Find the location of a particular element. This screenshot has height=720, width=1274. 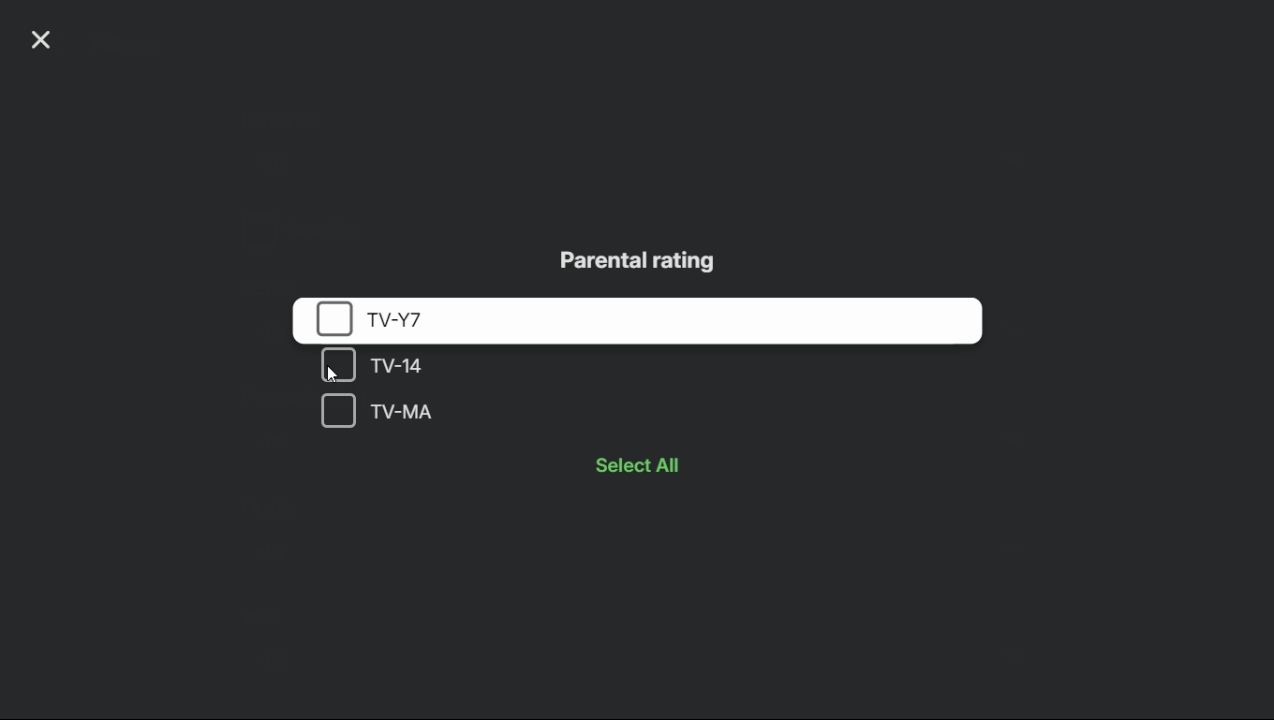

checkbox: TV-14 is located at coordinates (479, 367).